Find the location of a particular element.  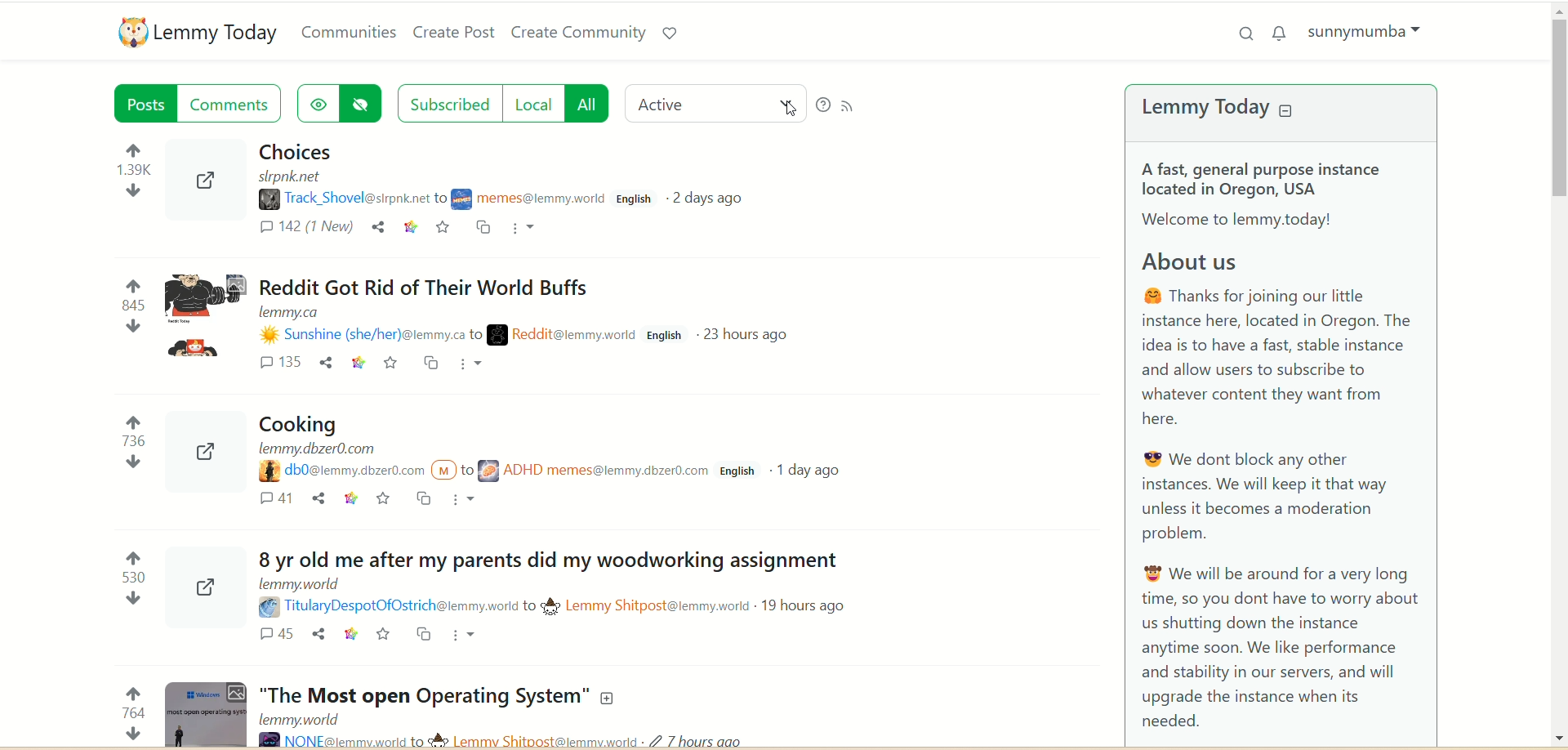

cross post is located at coordinates (483, 230).